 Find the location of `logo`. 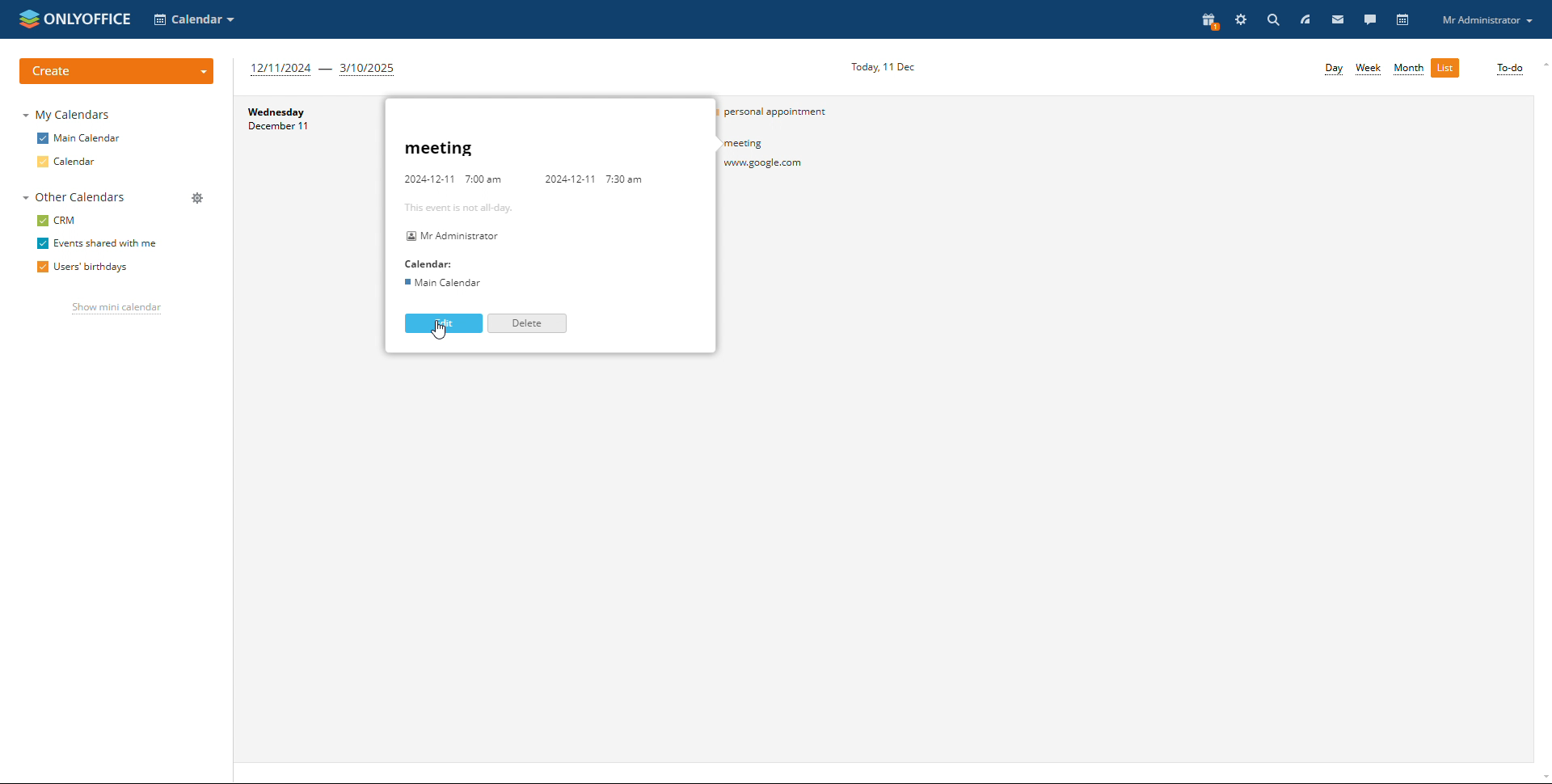

logo is located at coordinates (75, 19).